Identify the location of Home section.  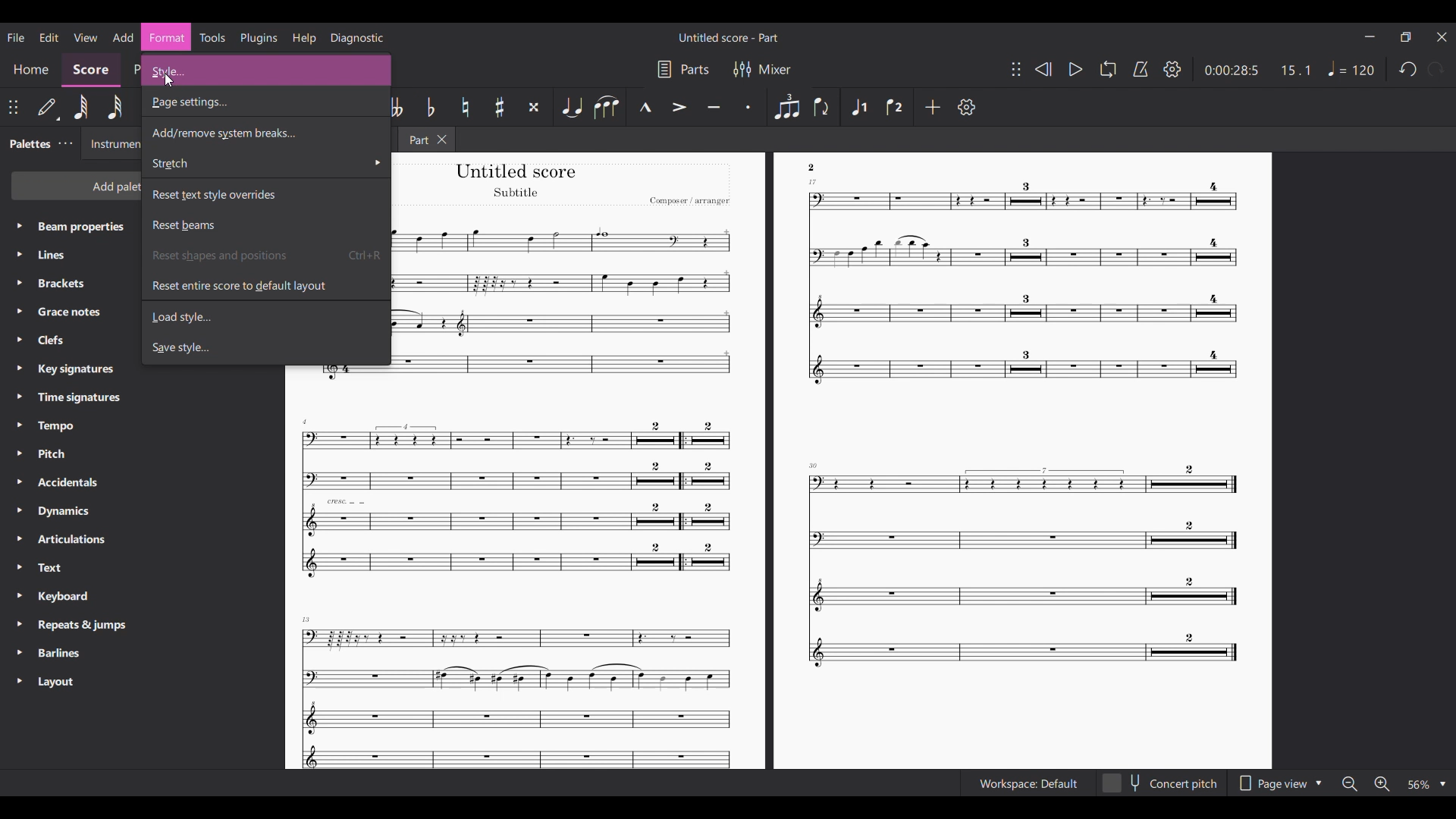
(30, 71).